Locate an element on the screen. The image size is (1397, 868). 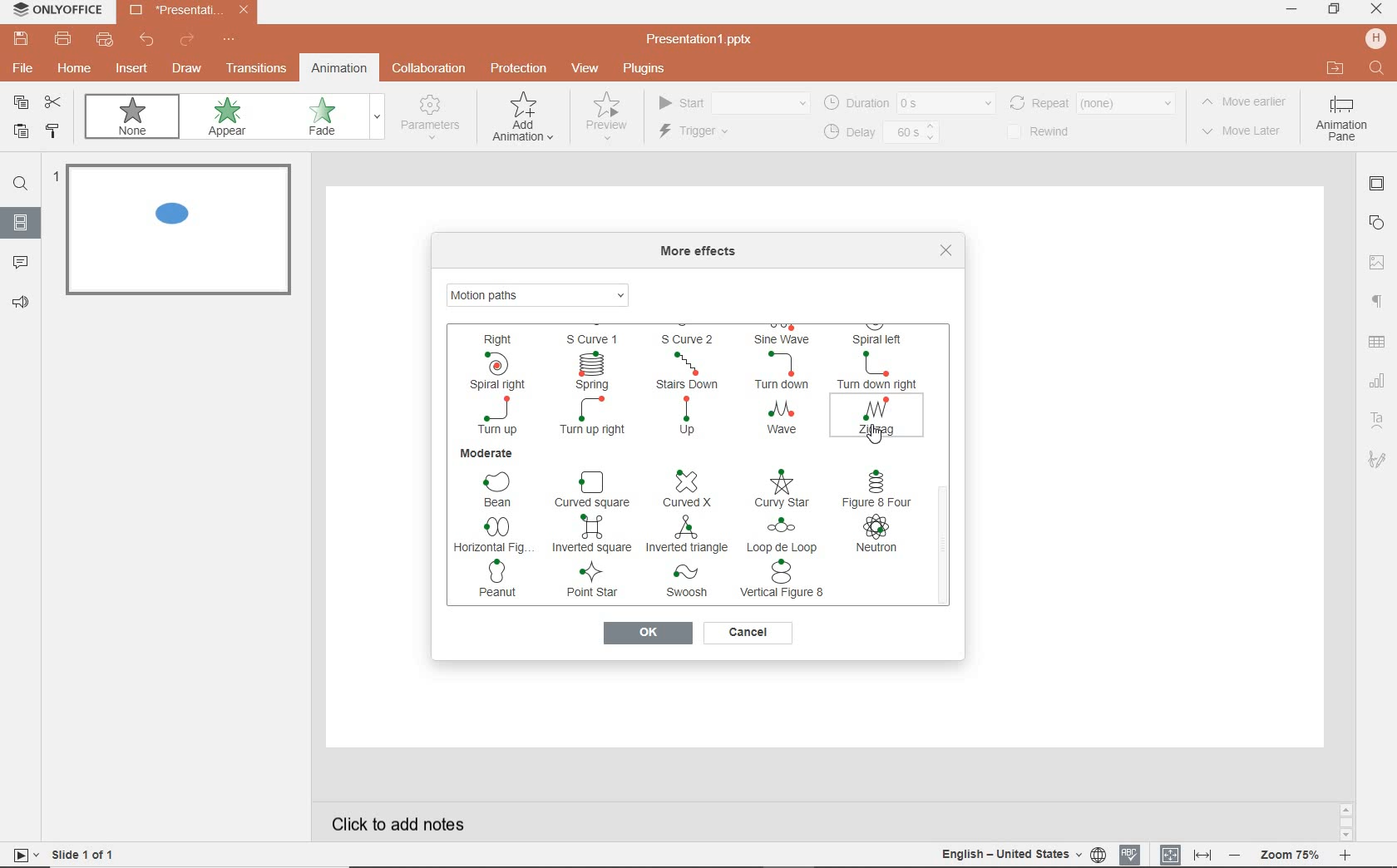
SCROLLBAR is located at coordinates (944, 452).